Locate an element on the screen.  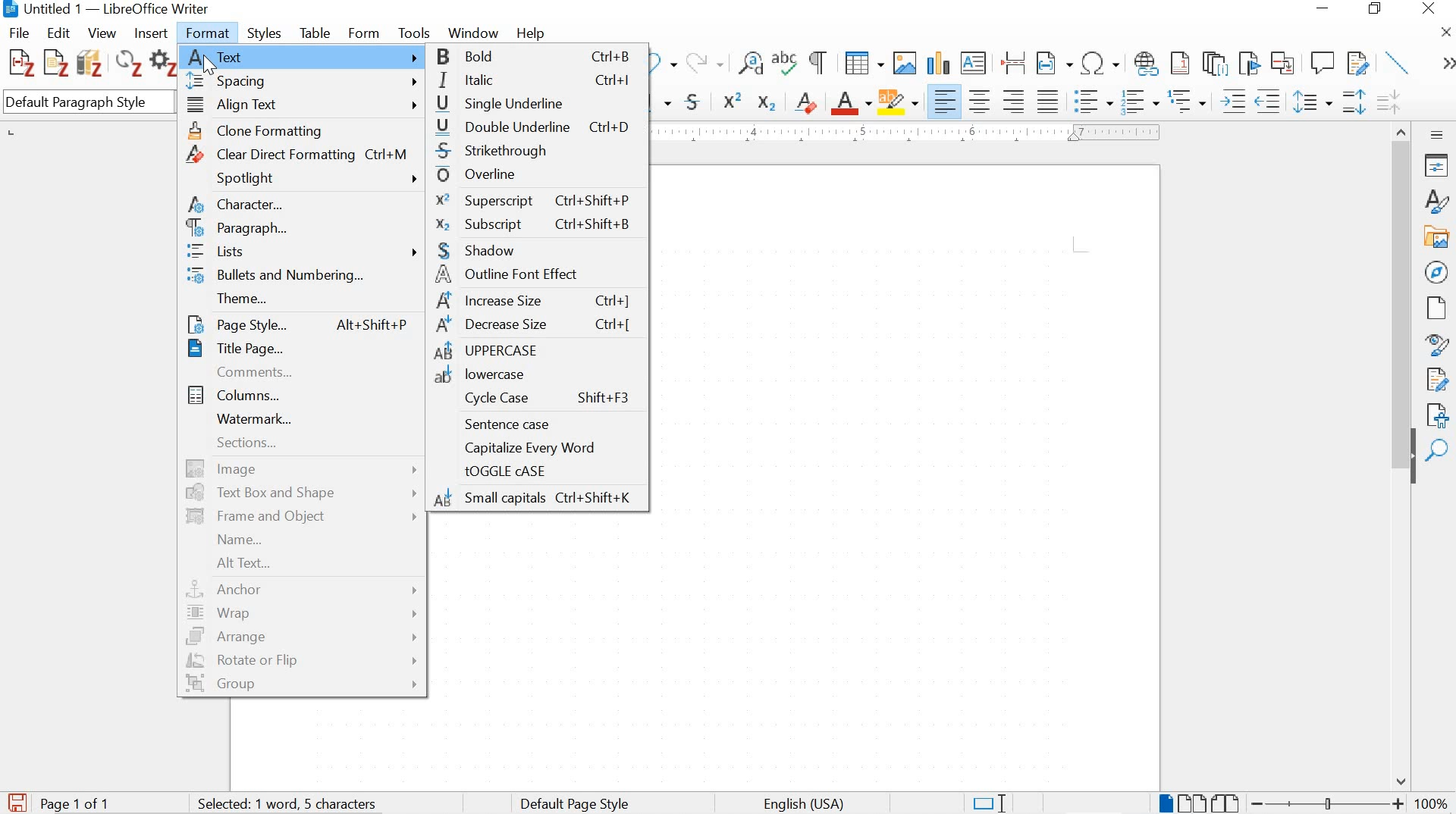
small capitals          Ctrl+Shift+K is located at coordinates (538, 499).